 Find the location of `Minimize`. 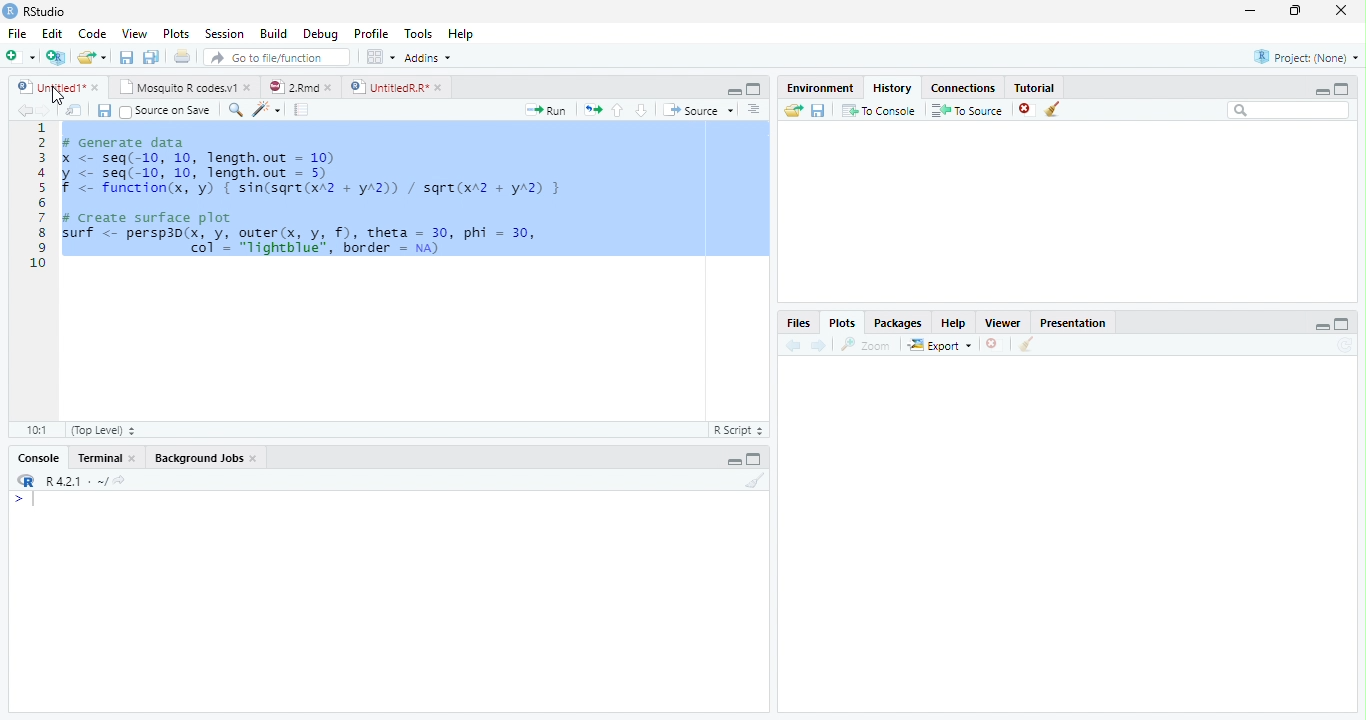

Minimize is located at coordinates (734, 461).